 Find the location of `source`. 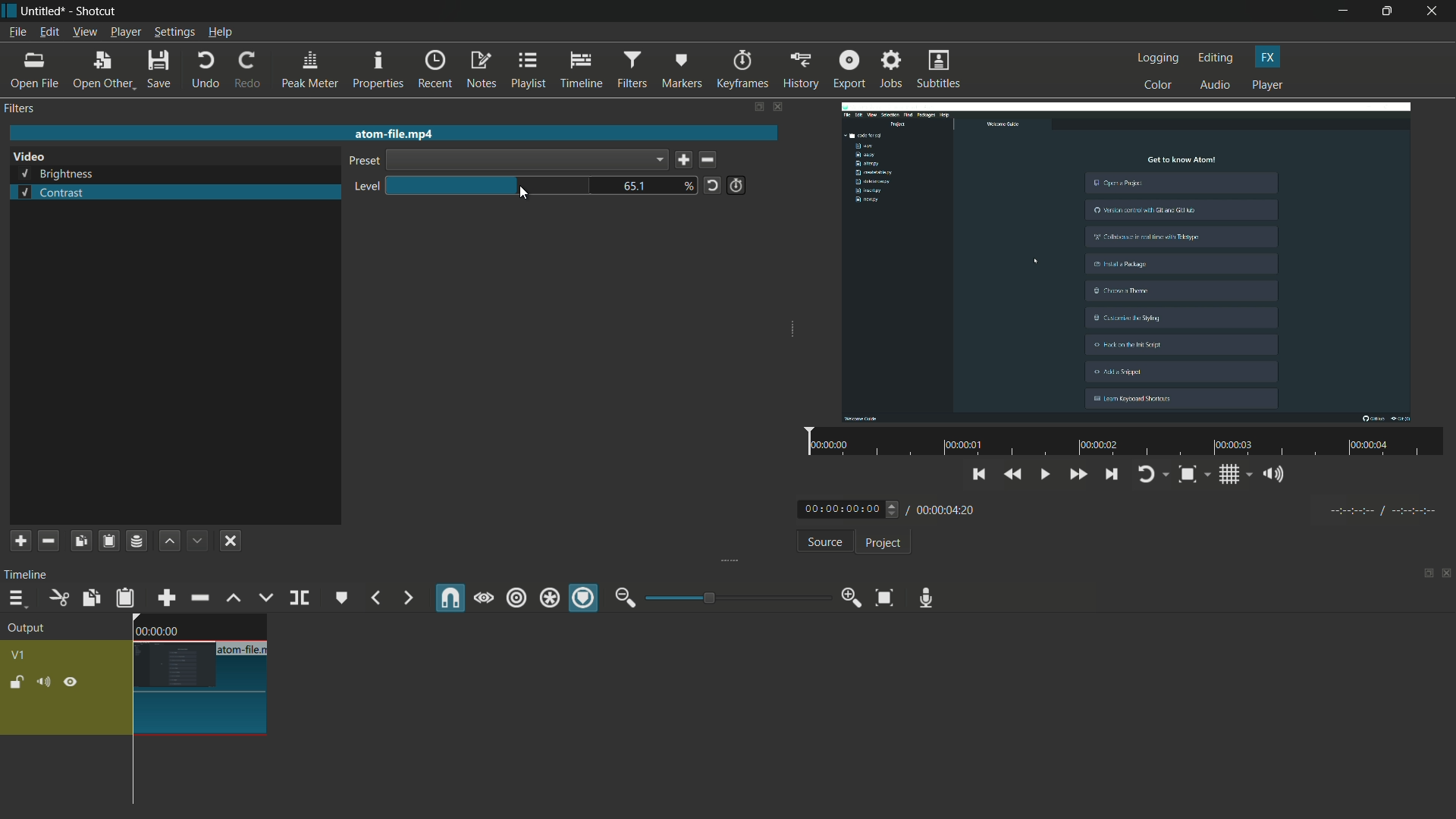

source is located at coordinates (824, 544).